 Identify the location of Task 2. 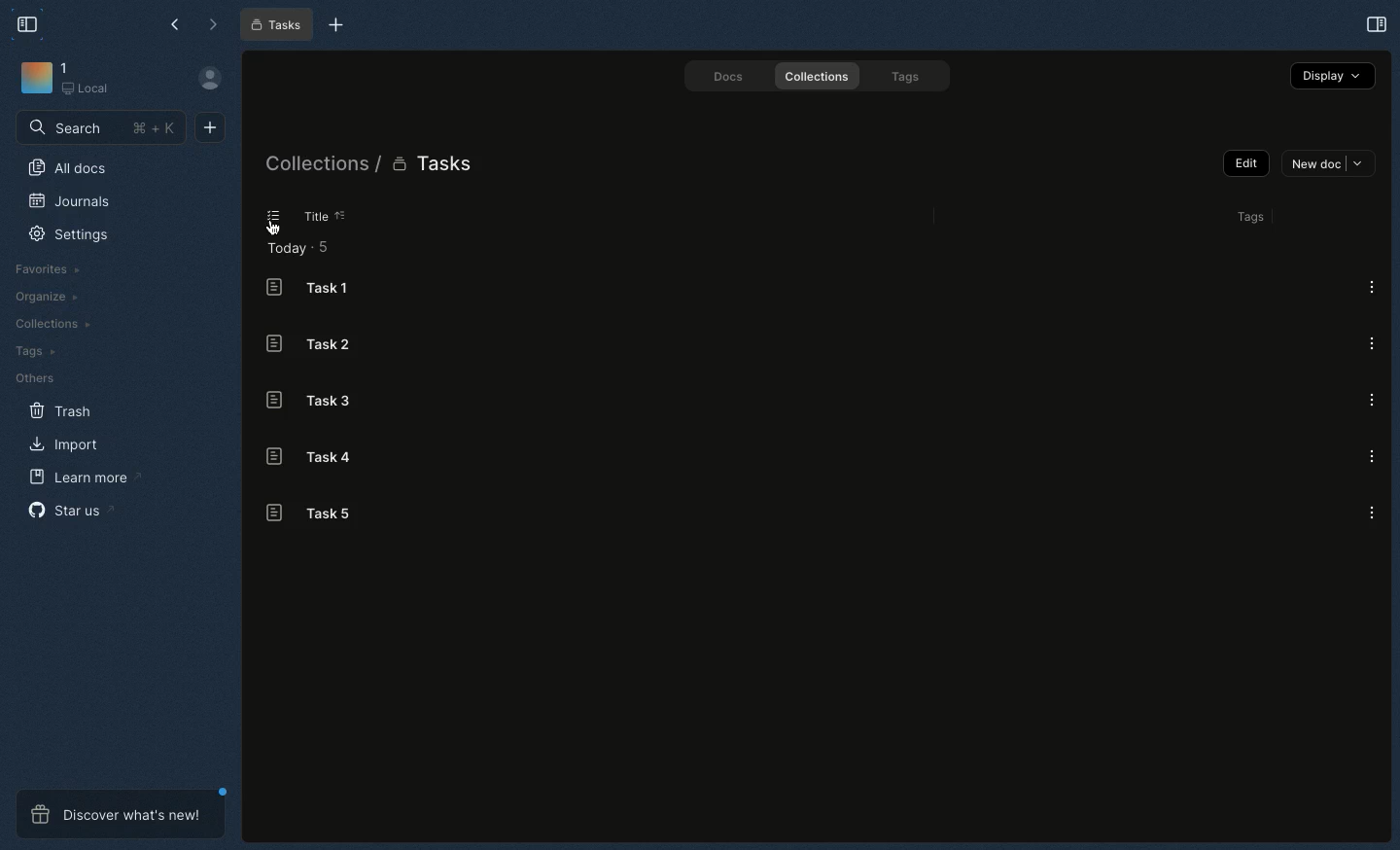
(312, 346).